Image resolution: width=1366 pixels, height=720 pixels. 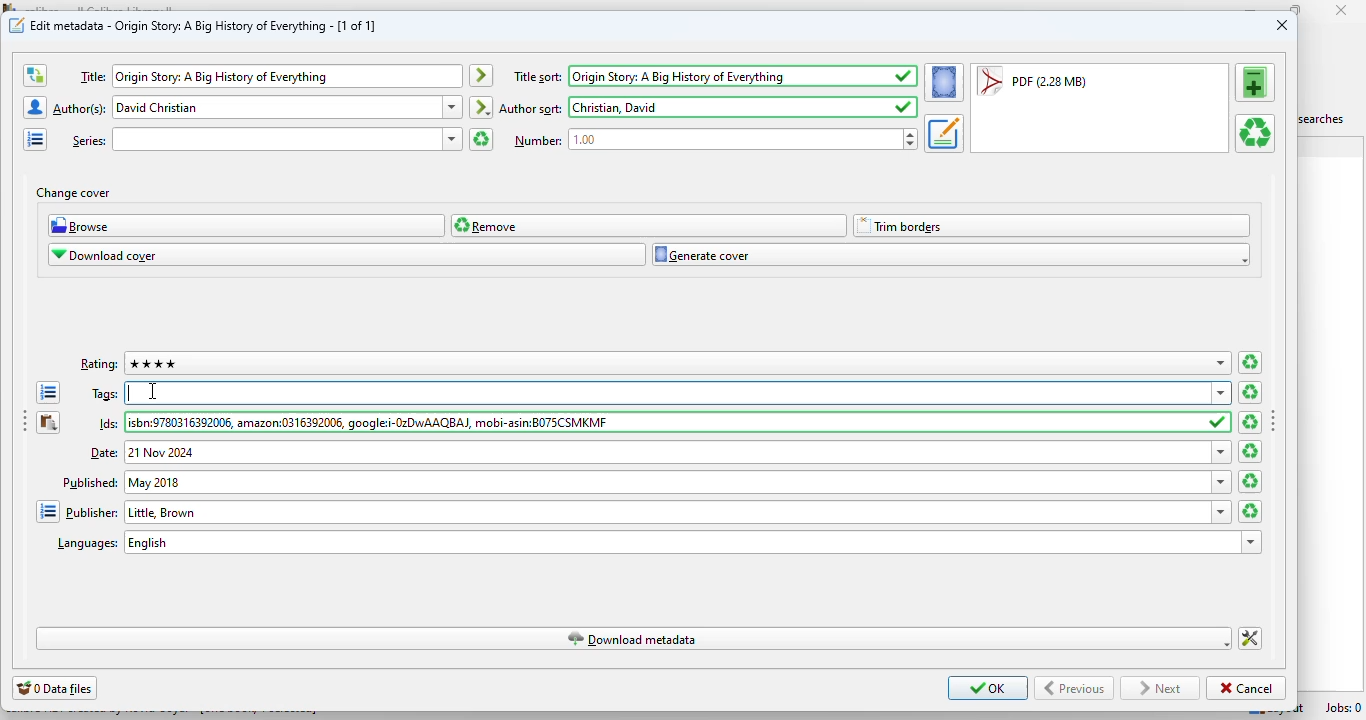 What do you see at coordinates (204, 25) in the screenshot?
I see `edit metadata - Origin Story: A Big History of Everything - [1 of 1]` at bounding box center [204, 25].